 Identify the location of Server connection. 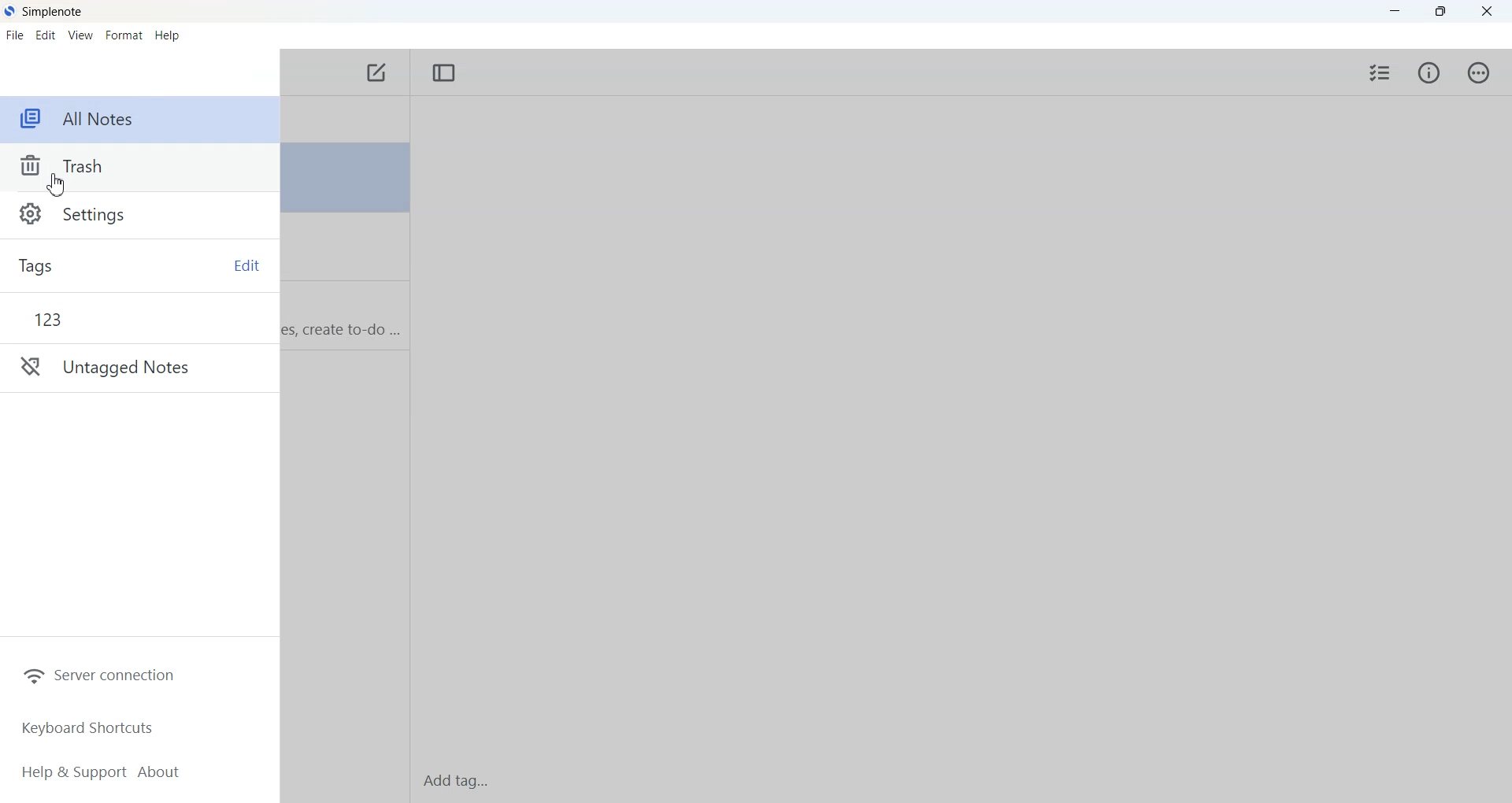
(99, 674).